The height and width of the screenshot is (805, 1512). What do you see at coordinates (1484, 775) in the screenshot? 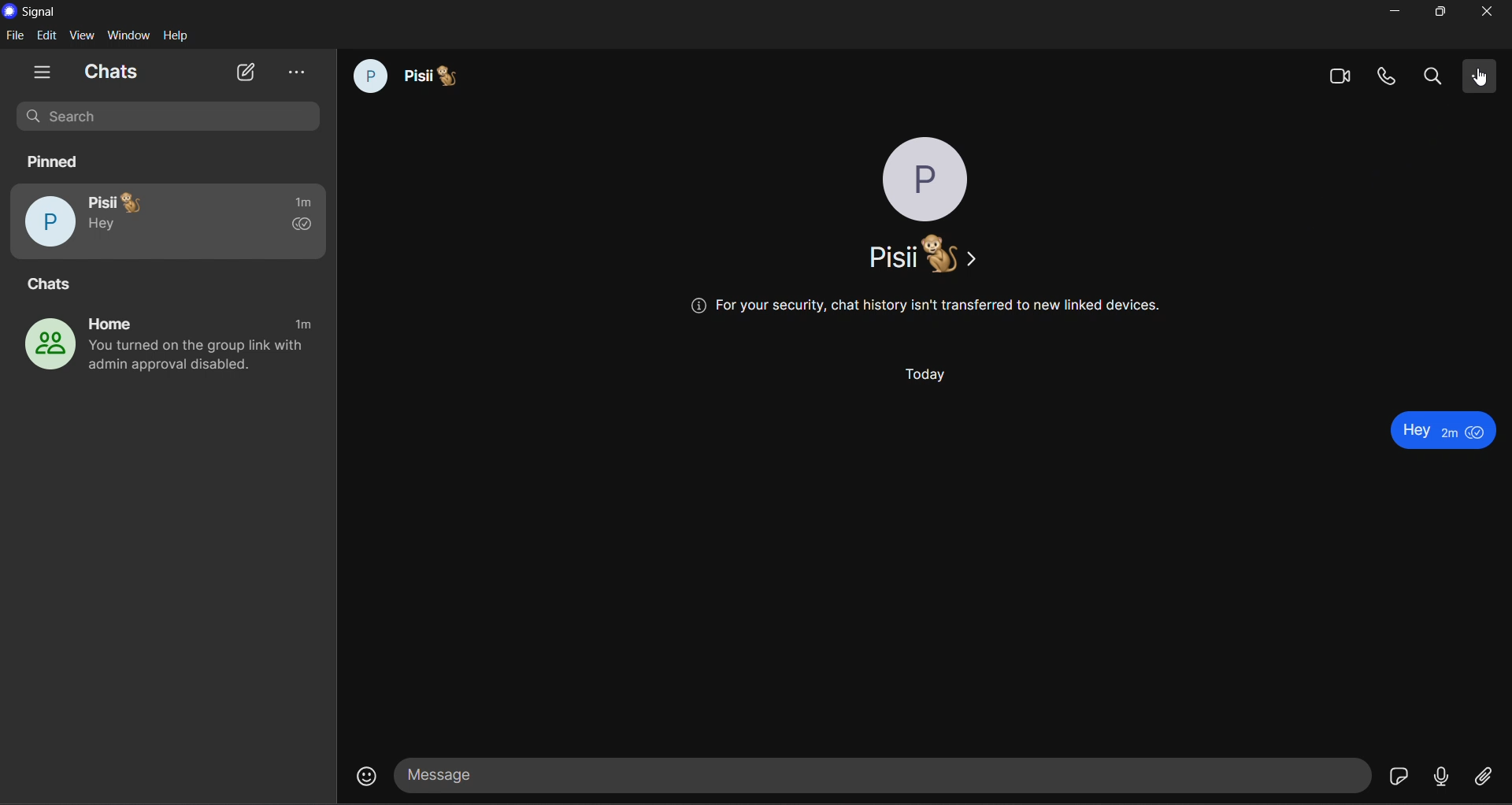
I see `file share` at bounding box center [1484, 775].